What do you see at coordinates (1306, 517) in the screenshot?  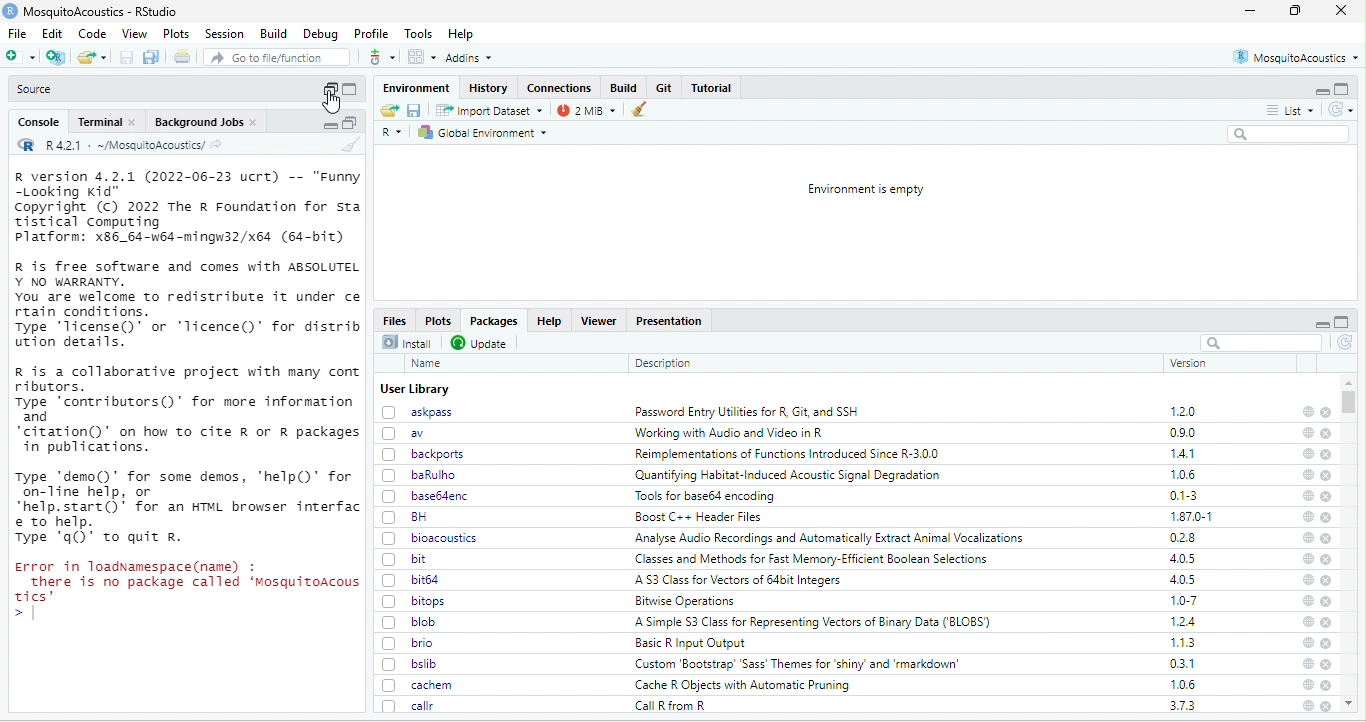 I see `help` at bounding box center [1306, 517].